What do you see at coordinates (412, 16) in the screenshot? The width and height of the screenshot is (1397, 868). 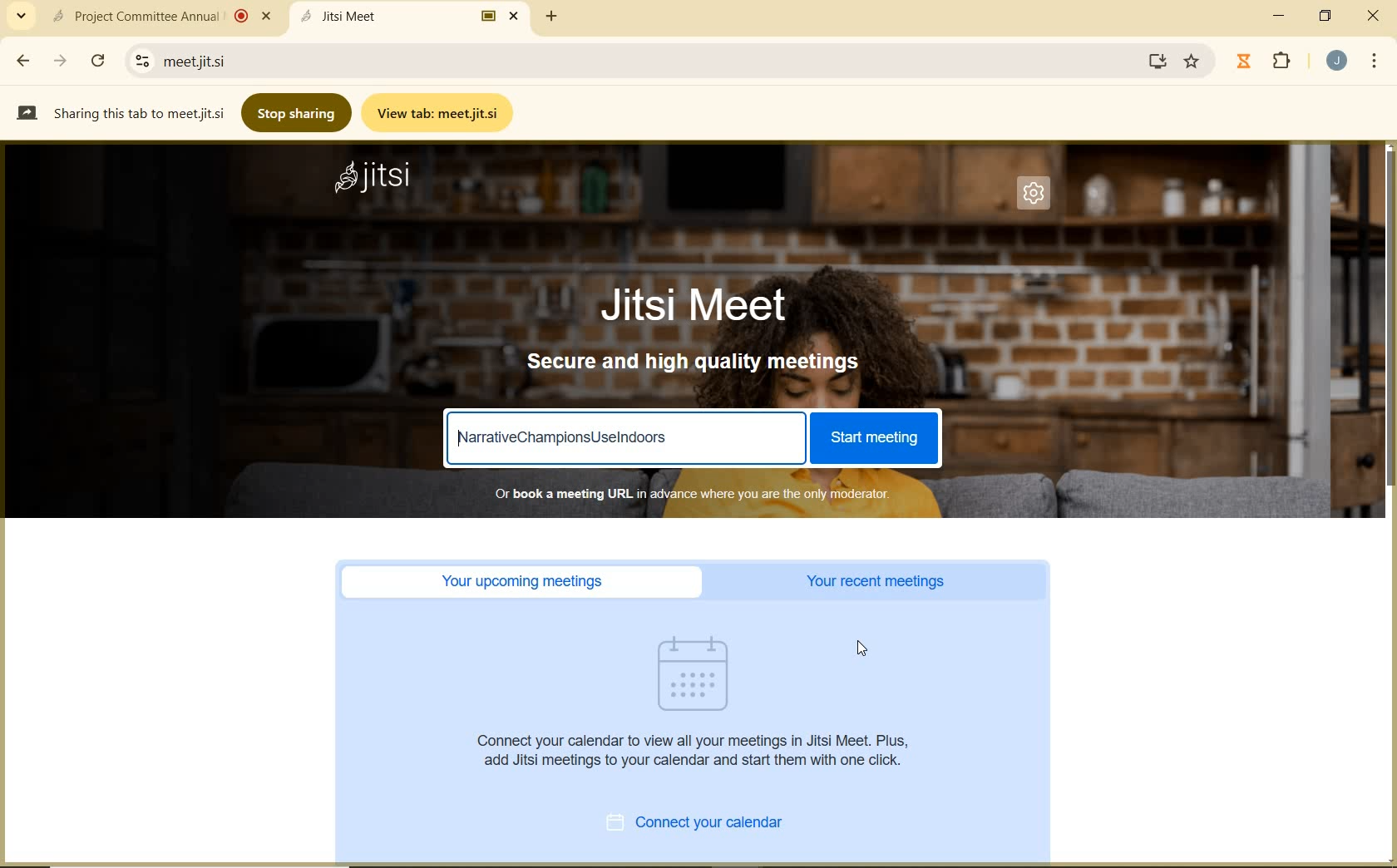 I see `Jitsi Meet` at bounding box center [412, 16].